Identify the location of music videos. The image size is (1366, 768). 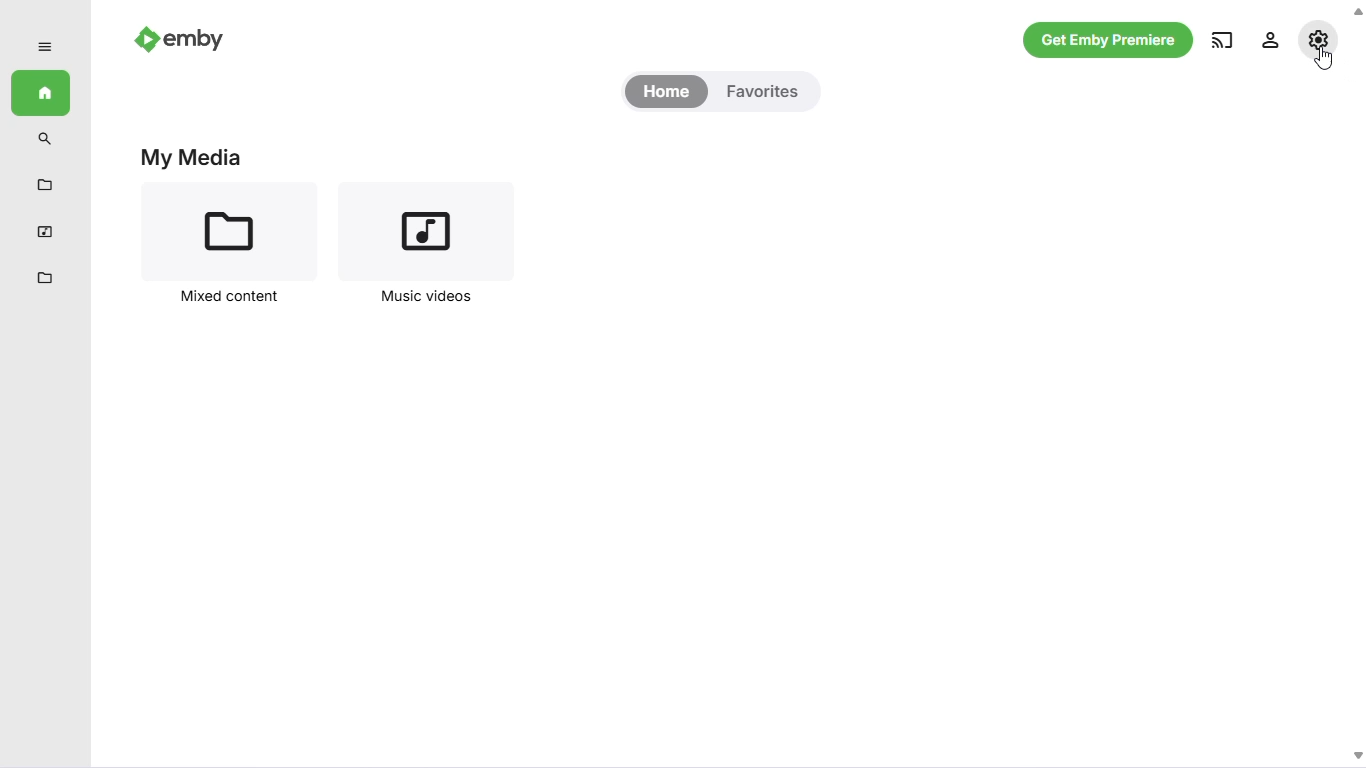
(45, 231).